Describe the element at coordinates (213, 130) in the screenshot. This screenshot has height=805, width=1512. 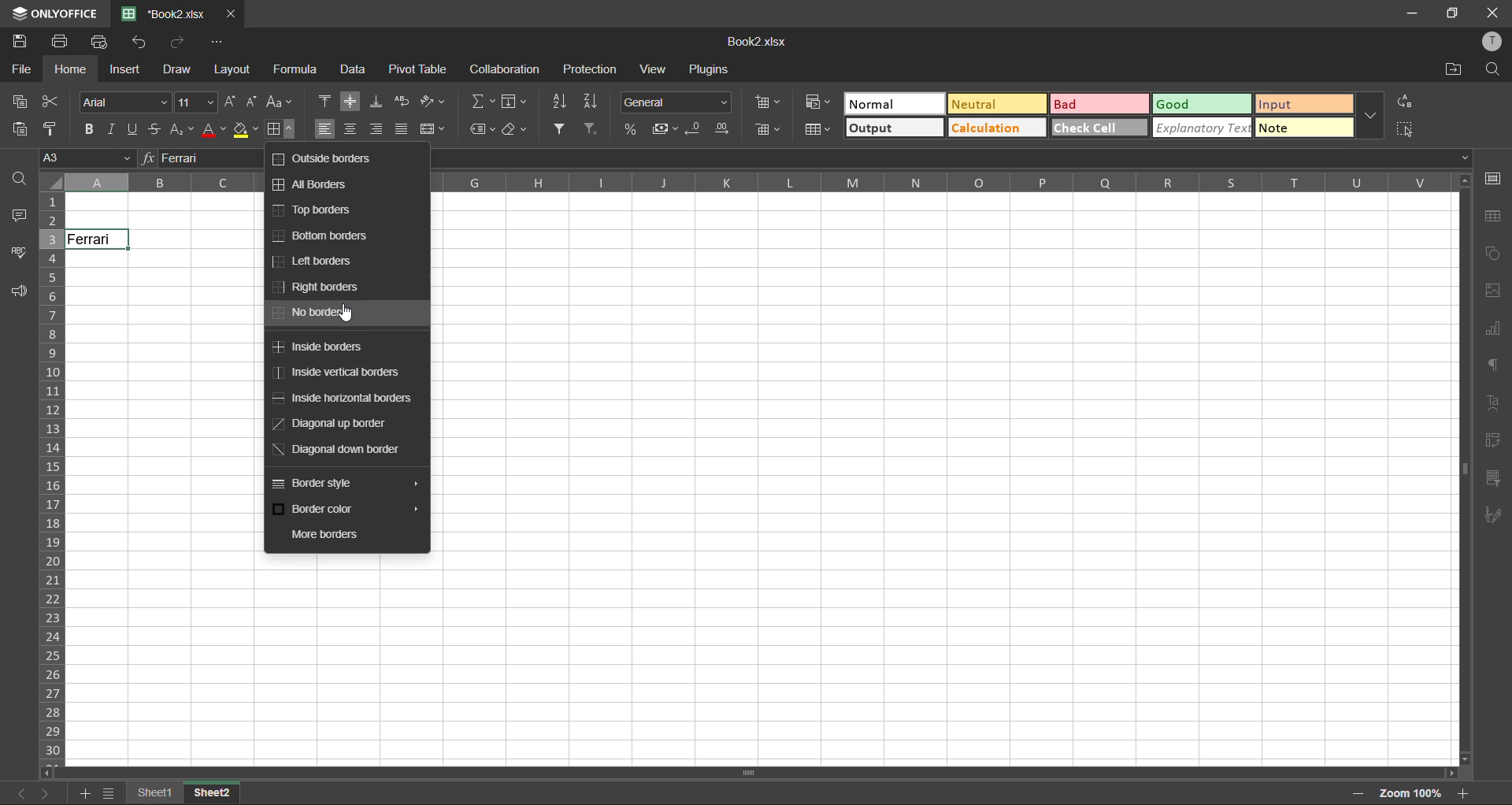
I see `font color` at that location.